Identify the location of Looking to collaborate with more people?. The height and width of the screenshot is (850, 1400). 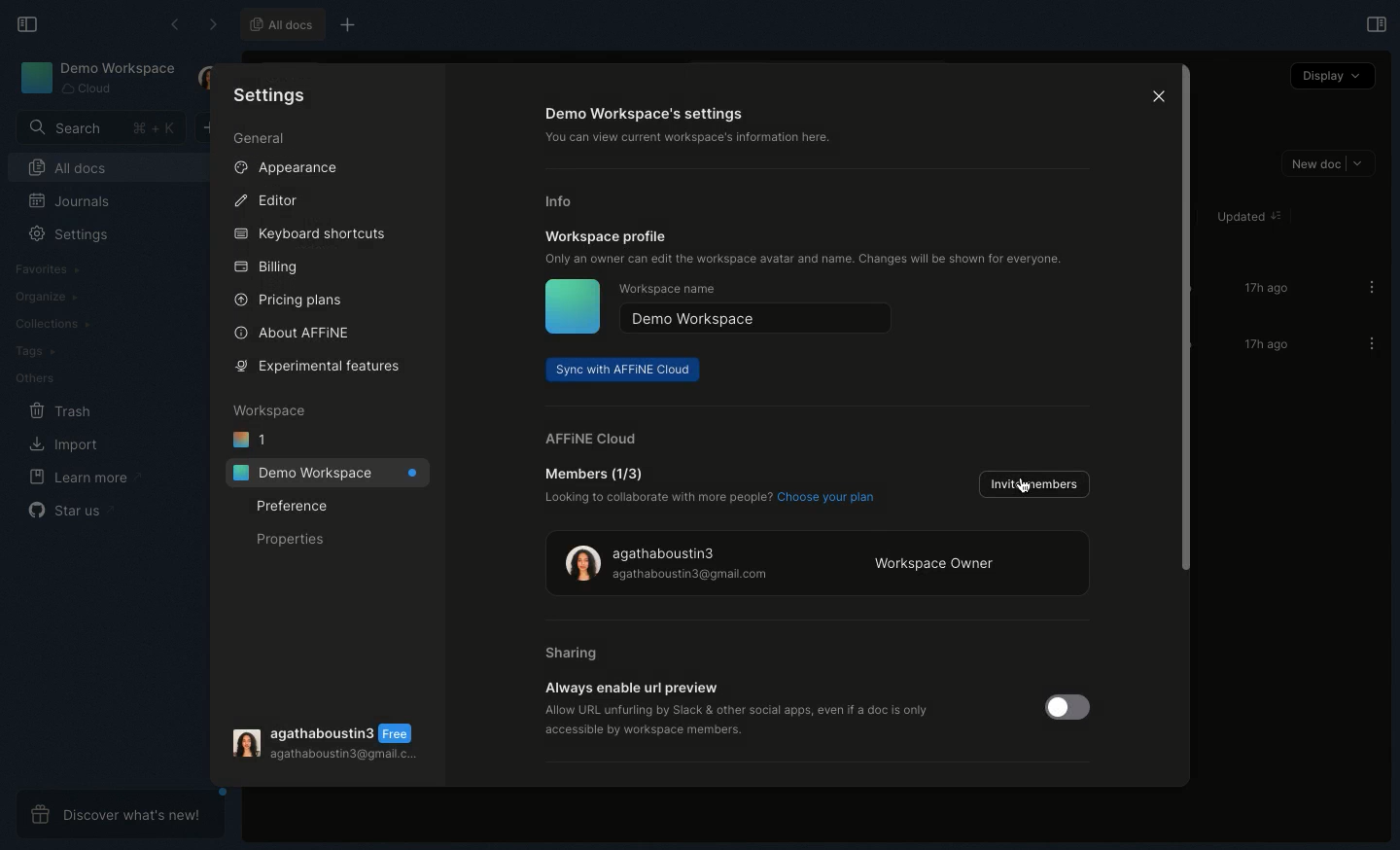
(653, 497).